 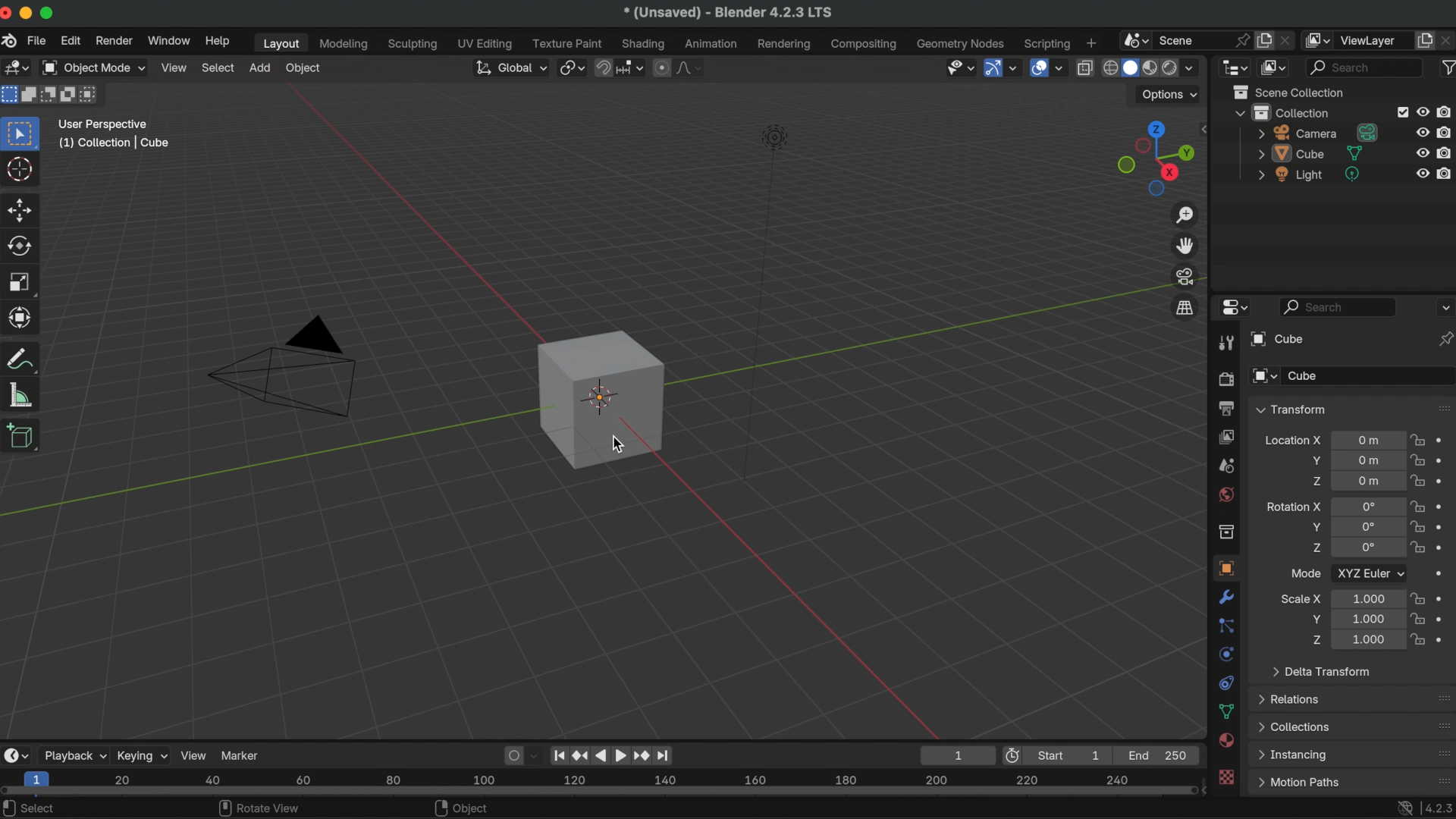 What do you see at coordinates (1316, 481) in the screenshot?
I see `location Z` at bounding box center [1316, 481].